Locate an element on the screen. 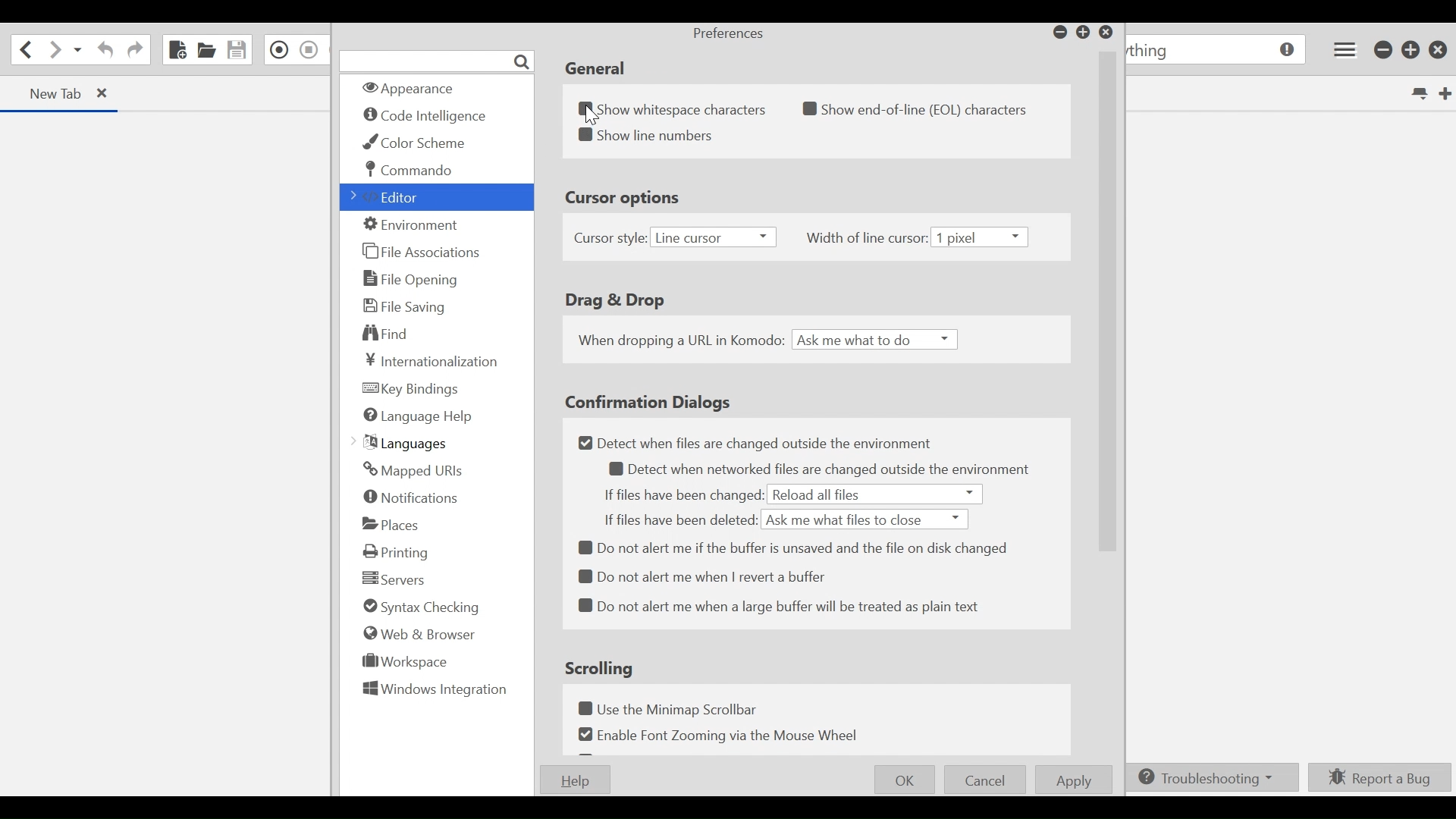  Reload all files is located at coordinates (821, 495).